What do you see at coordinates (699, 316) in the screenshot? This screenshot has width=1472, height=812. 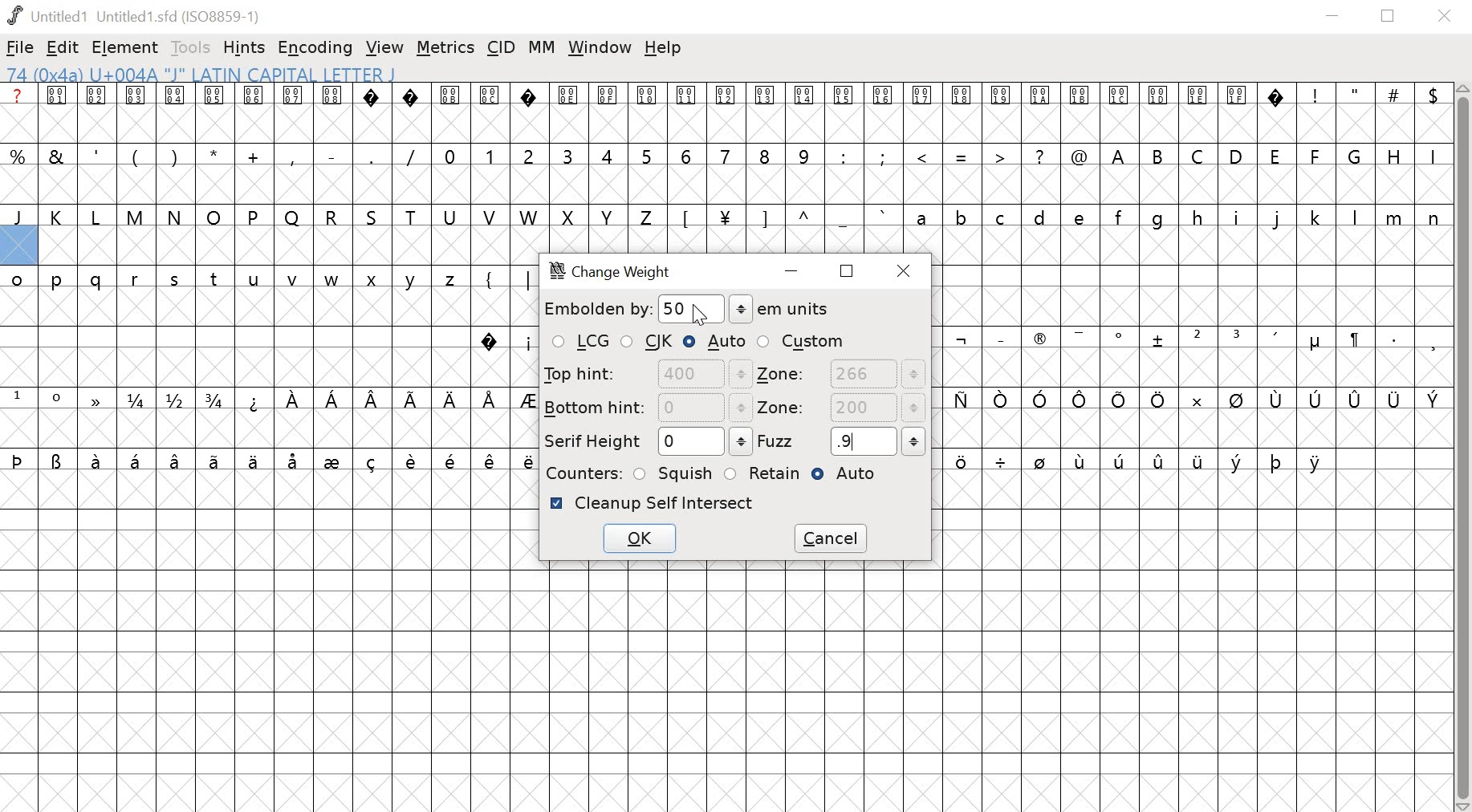 I see `Cursor` at bounding box center [699, 316].